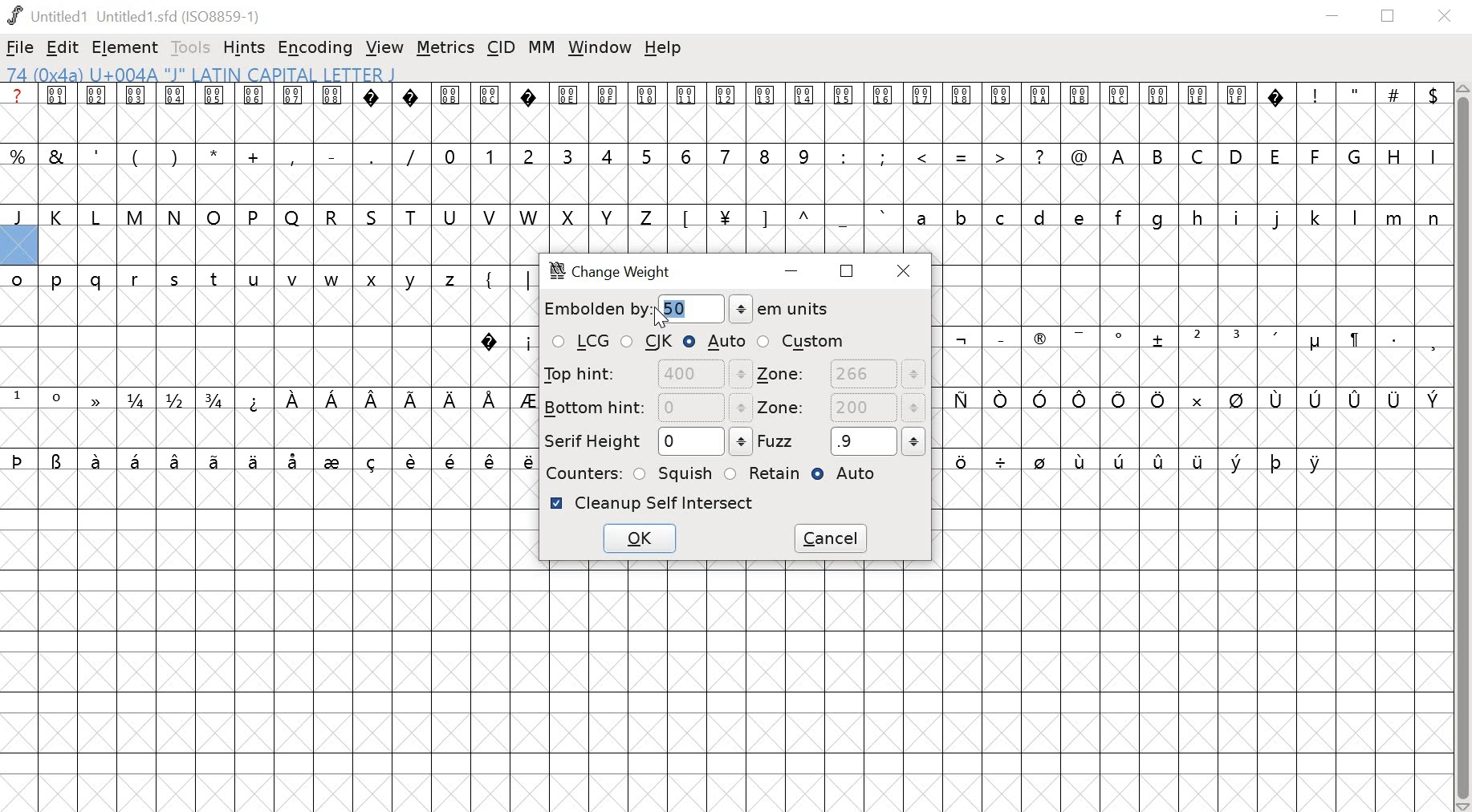  I want to click on FUZZ, so click(842, 441).